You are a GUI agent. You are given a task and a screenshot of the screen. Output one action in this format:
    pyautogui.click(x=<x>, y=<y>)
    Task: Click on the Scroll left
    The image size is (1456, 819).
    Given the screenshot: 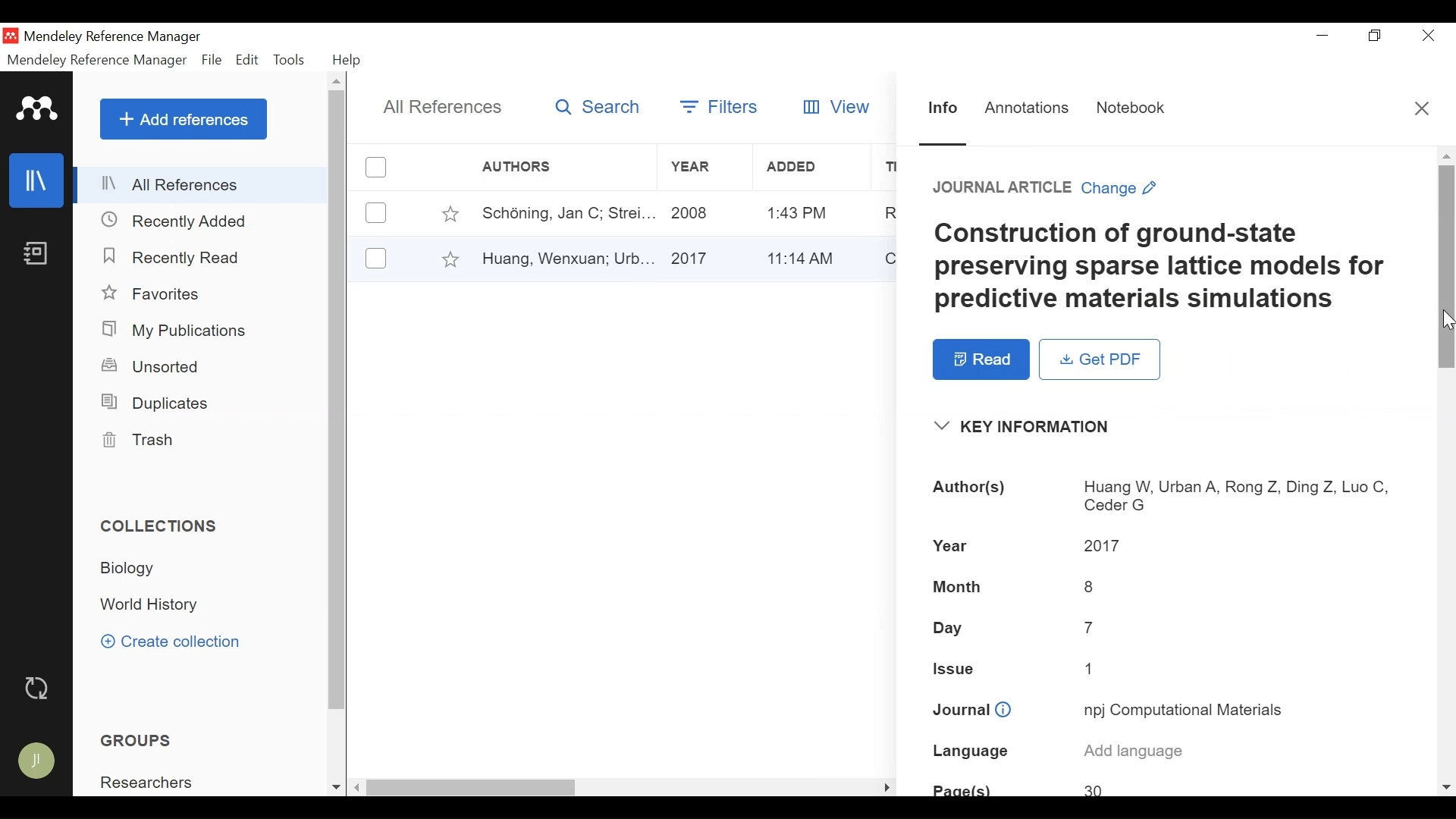 What is the action you would take?
    pyautogui.click(x=358, y=787)
    